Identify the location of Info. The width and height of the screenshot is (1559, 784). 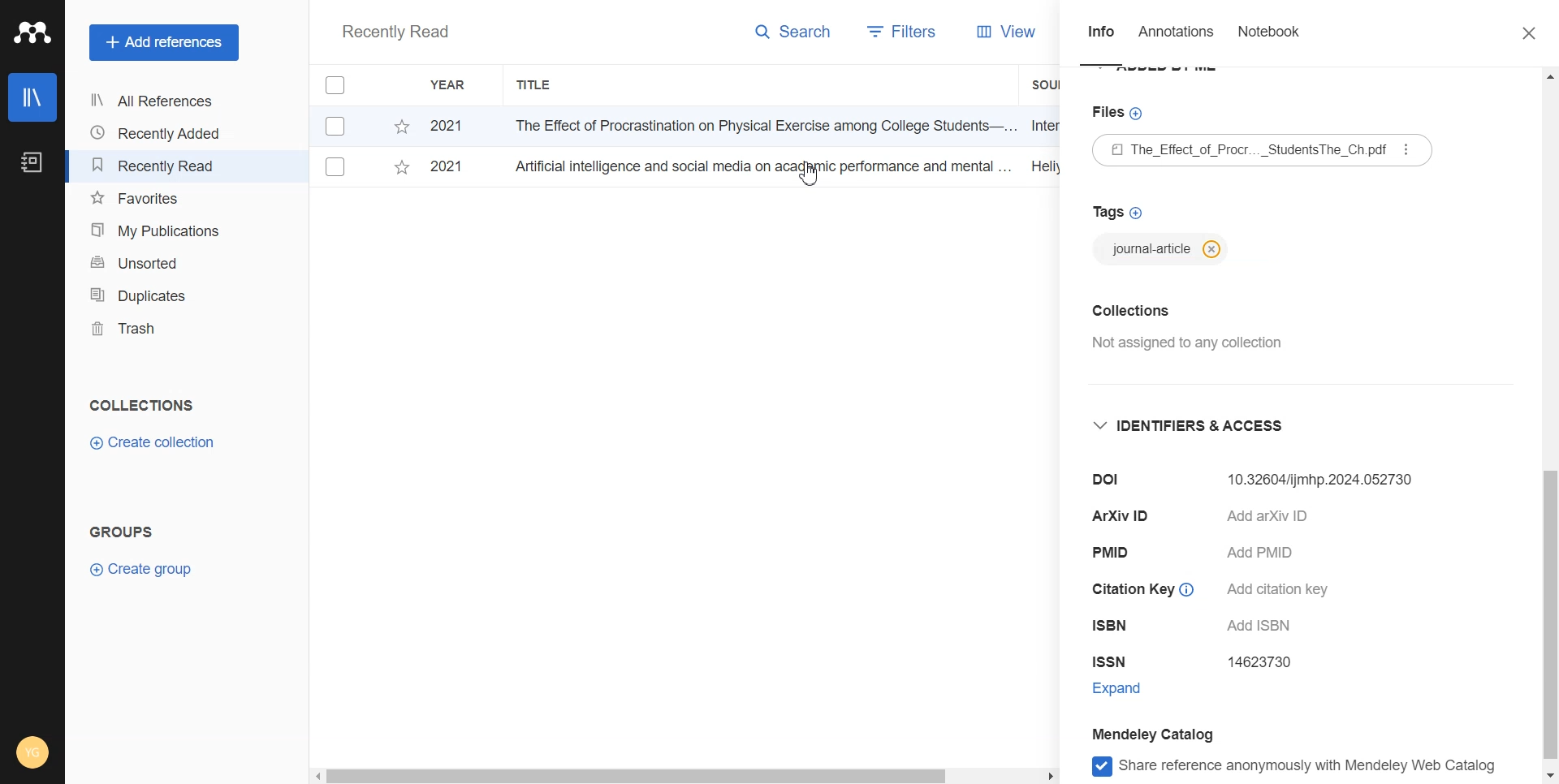
(1101, 37).